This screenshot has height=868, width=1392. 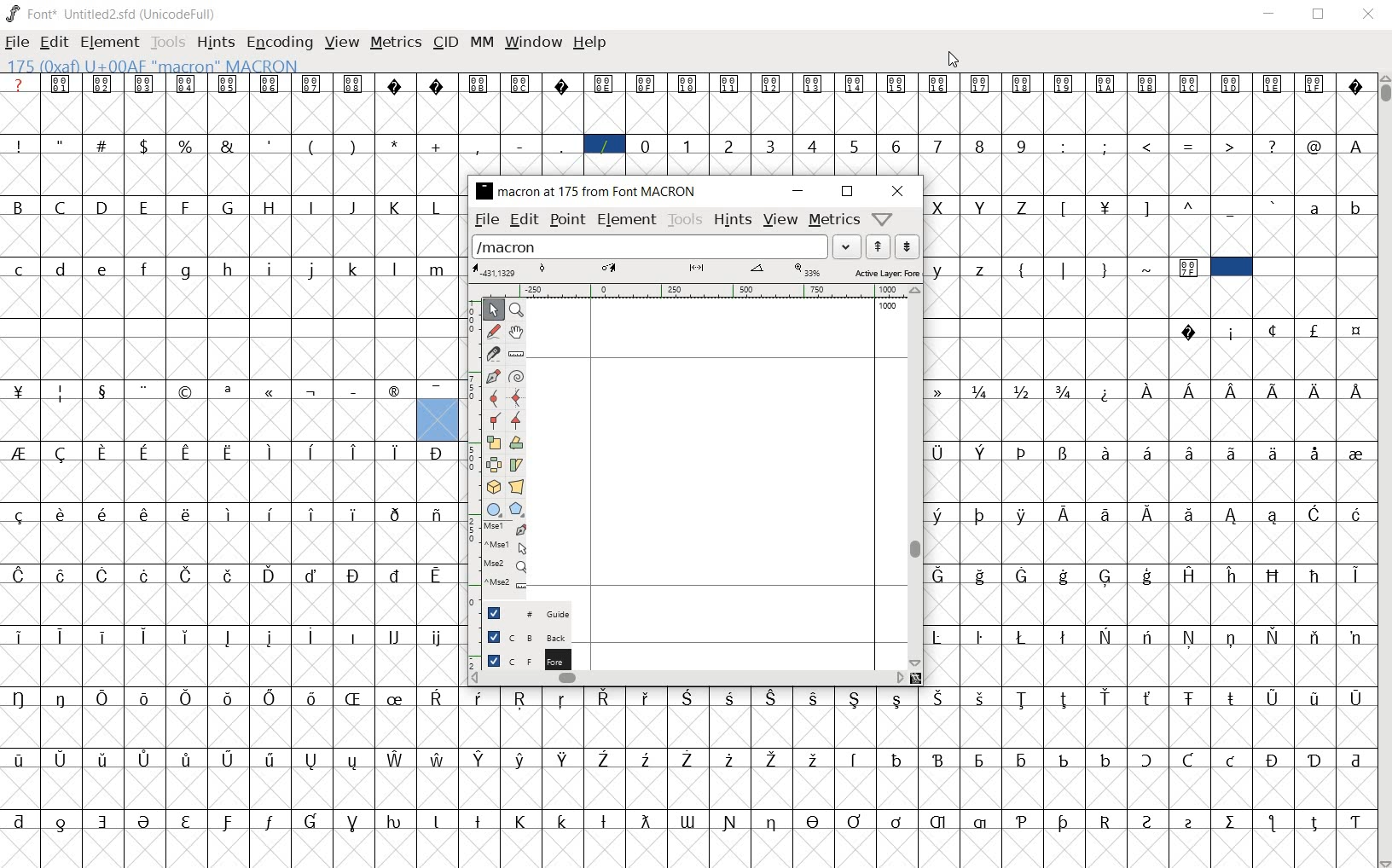 What do you see at coordinates (647, 144) in the screenshot?
I see `0` at bounding box center [647, 144].